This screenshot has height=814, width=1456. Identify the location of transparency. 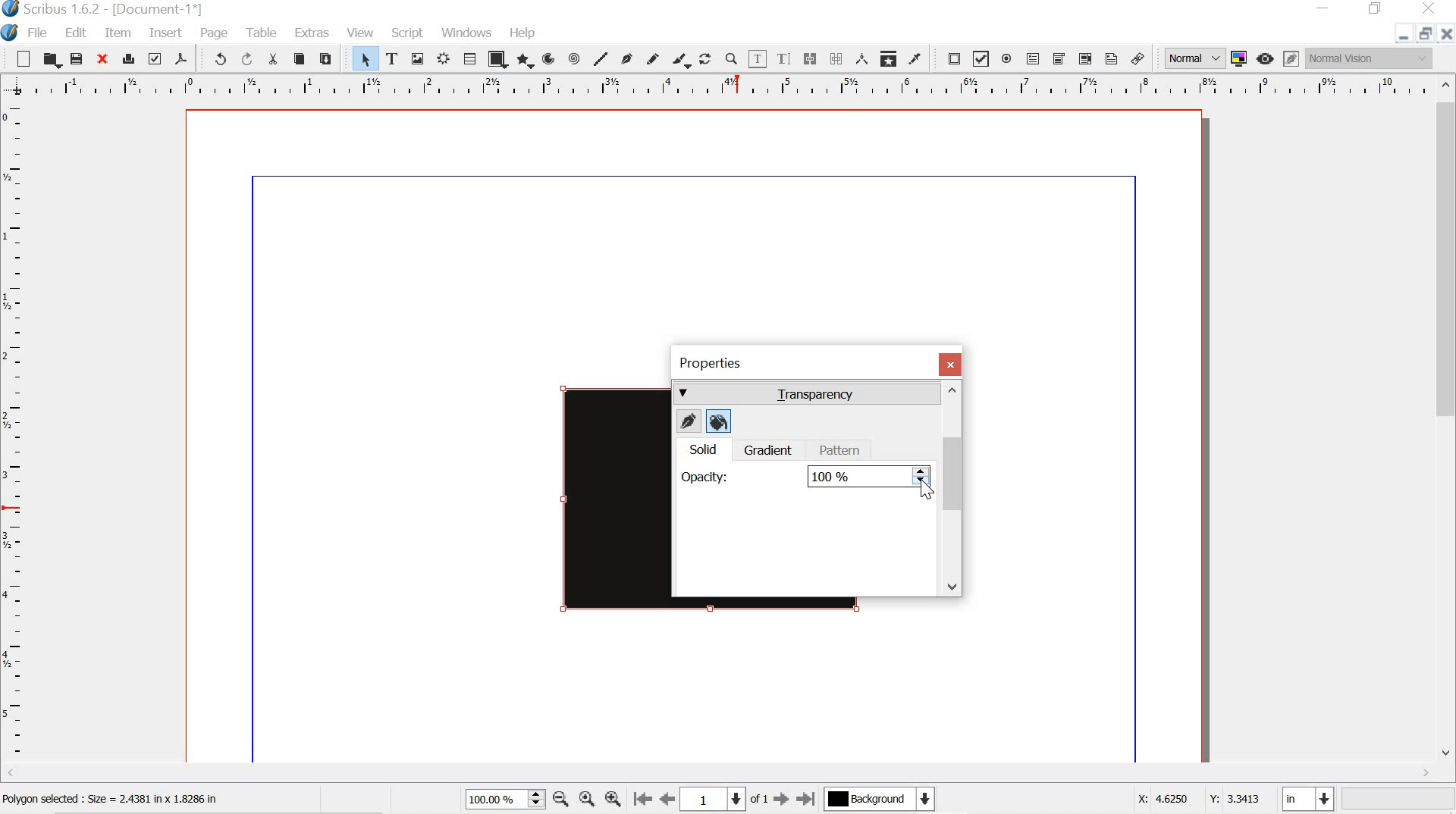
(804, 394).